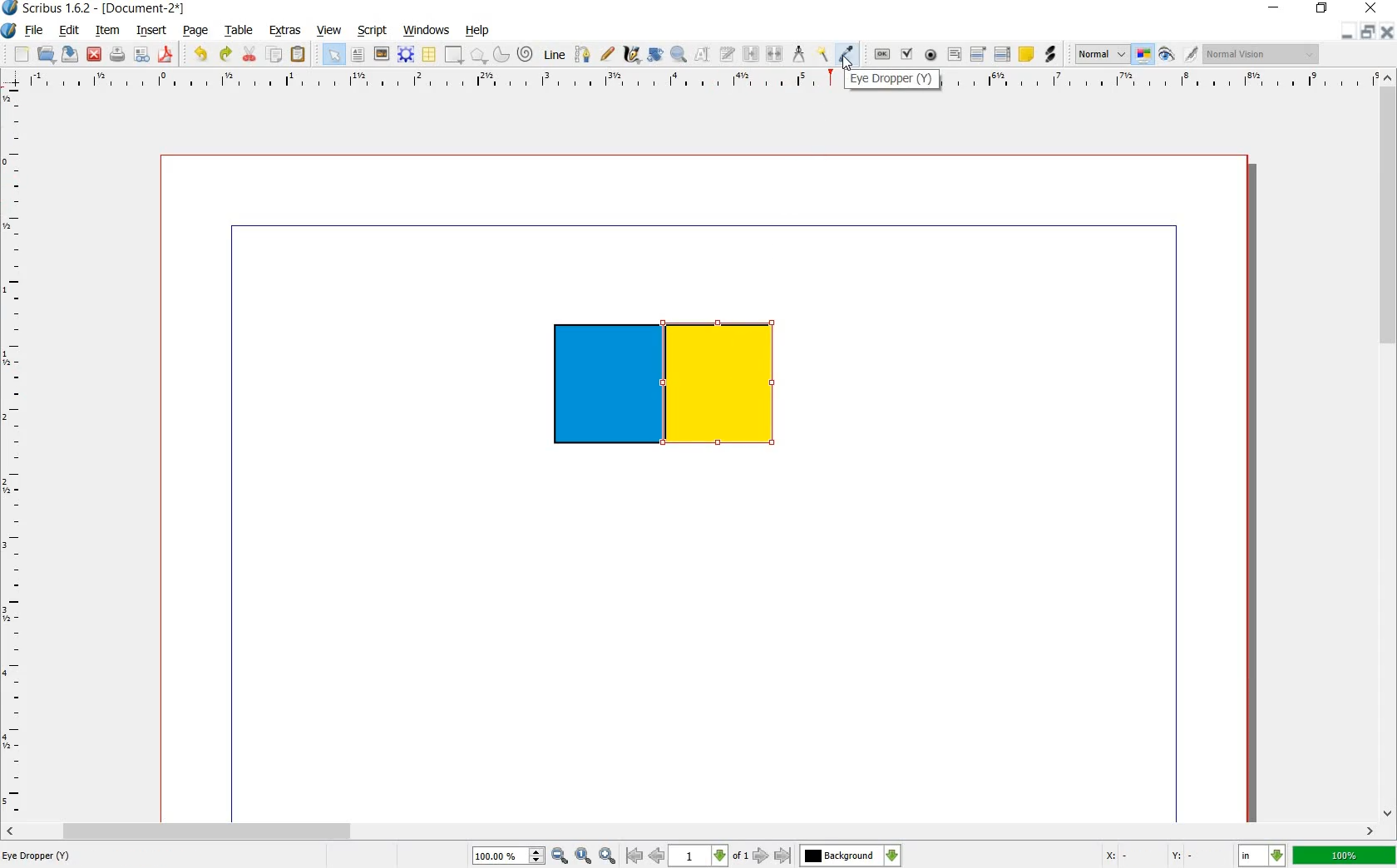  I want to click on edit text with story editor, so click(728, 55).